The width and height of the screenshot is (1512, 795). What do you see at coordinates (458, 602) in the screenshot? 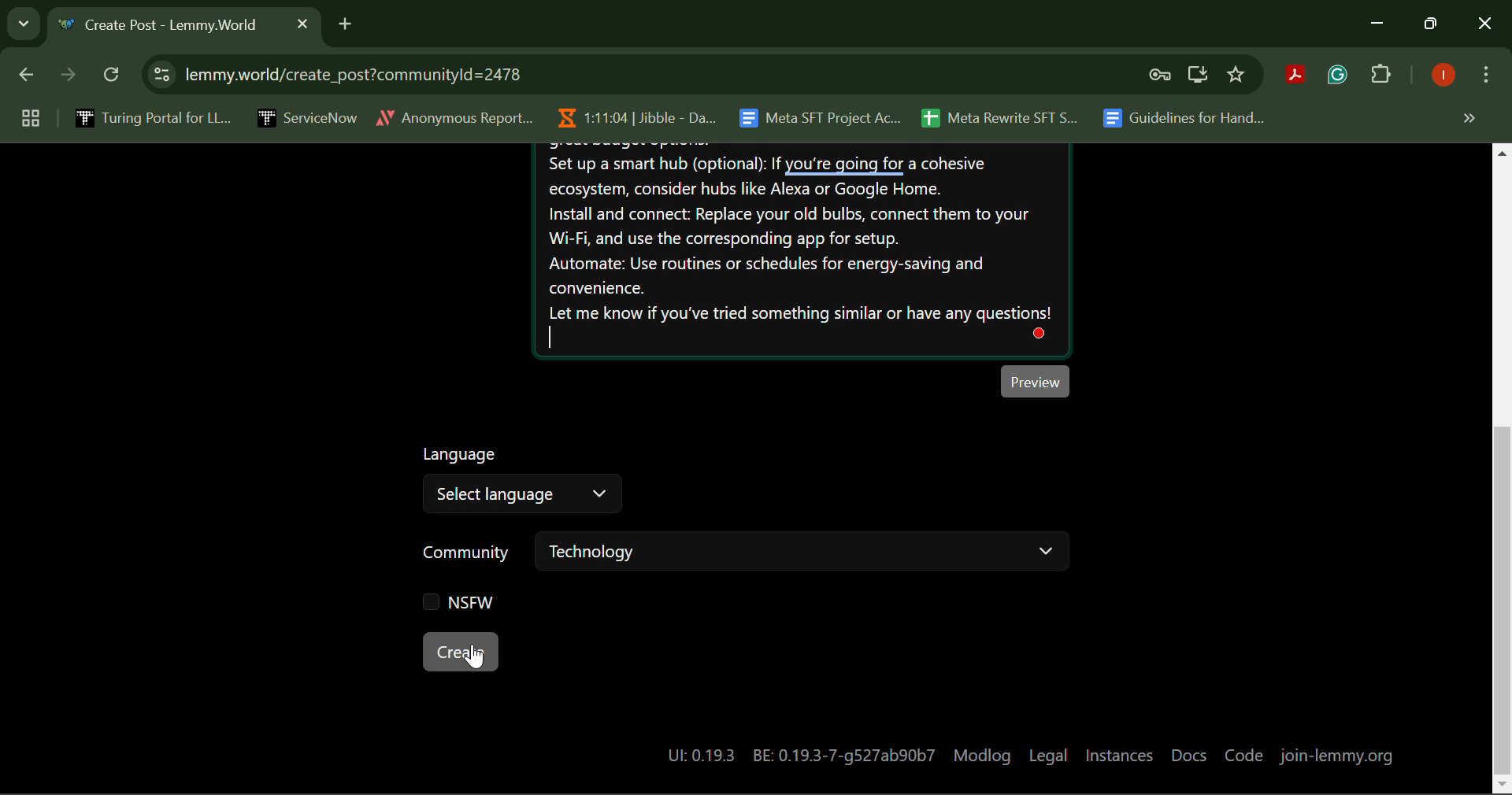
I see `NSFW Checkbox` at bounding box center [458, 602].